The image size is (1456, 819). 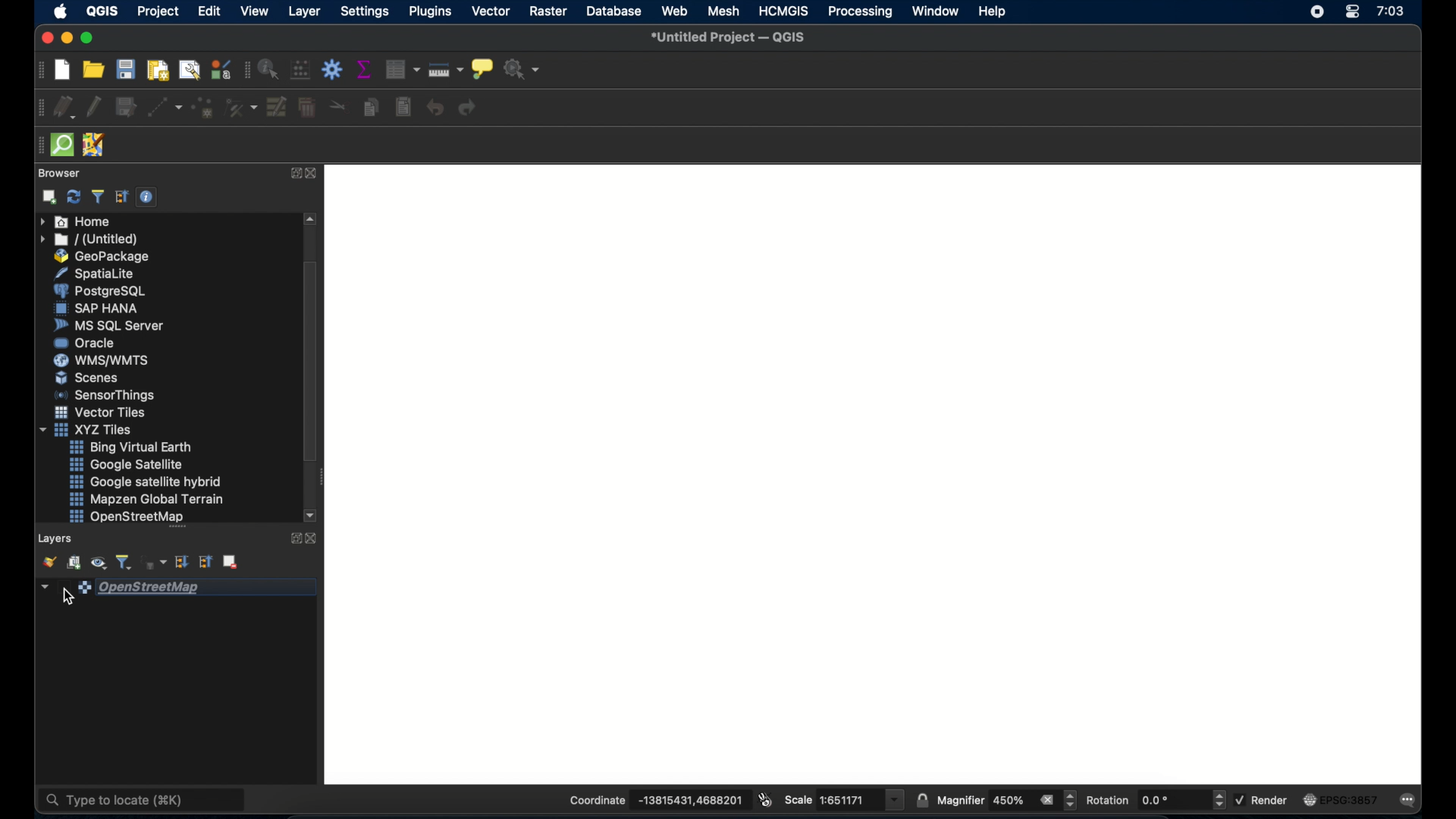 I want to click on database, so click(x=613, y=11).